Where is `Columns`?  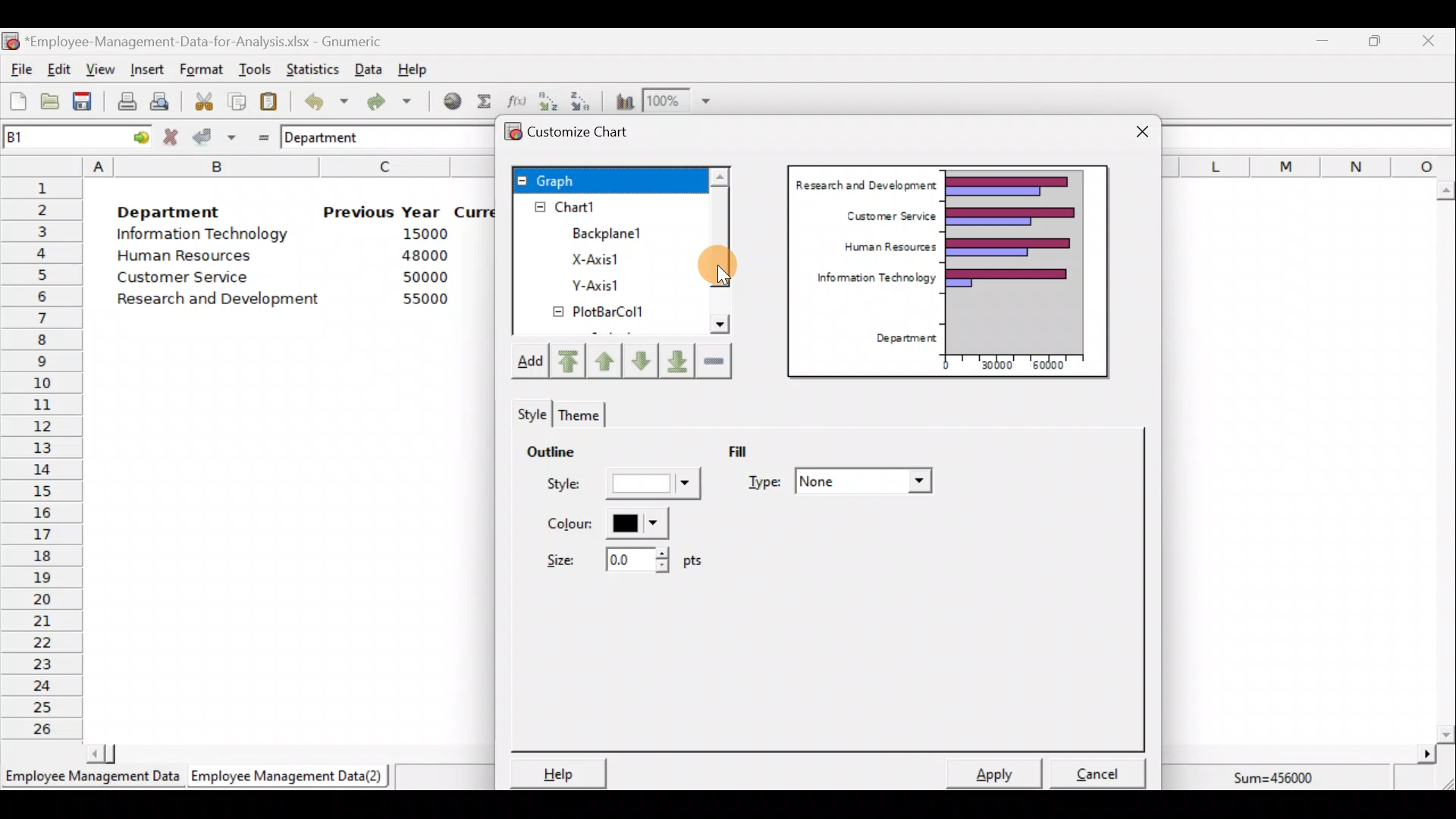 Columns is located at coordinates (1309, 165).